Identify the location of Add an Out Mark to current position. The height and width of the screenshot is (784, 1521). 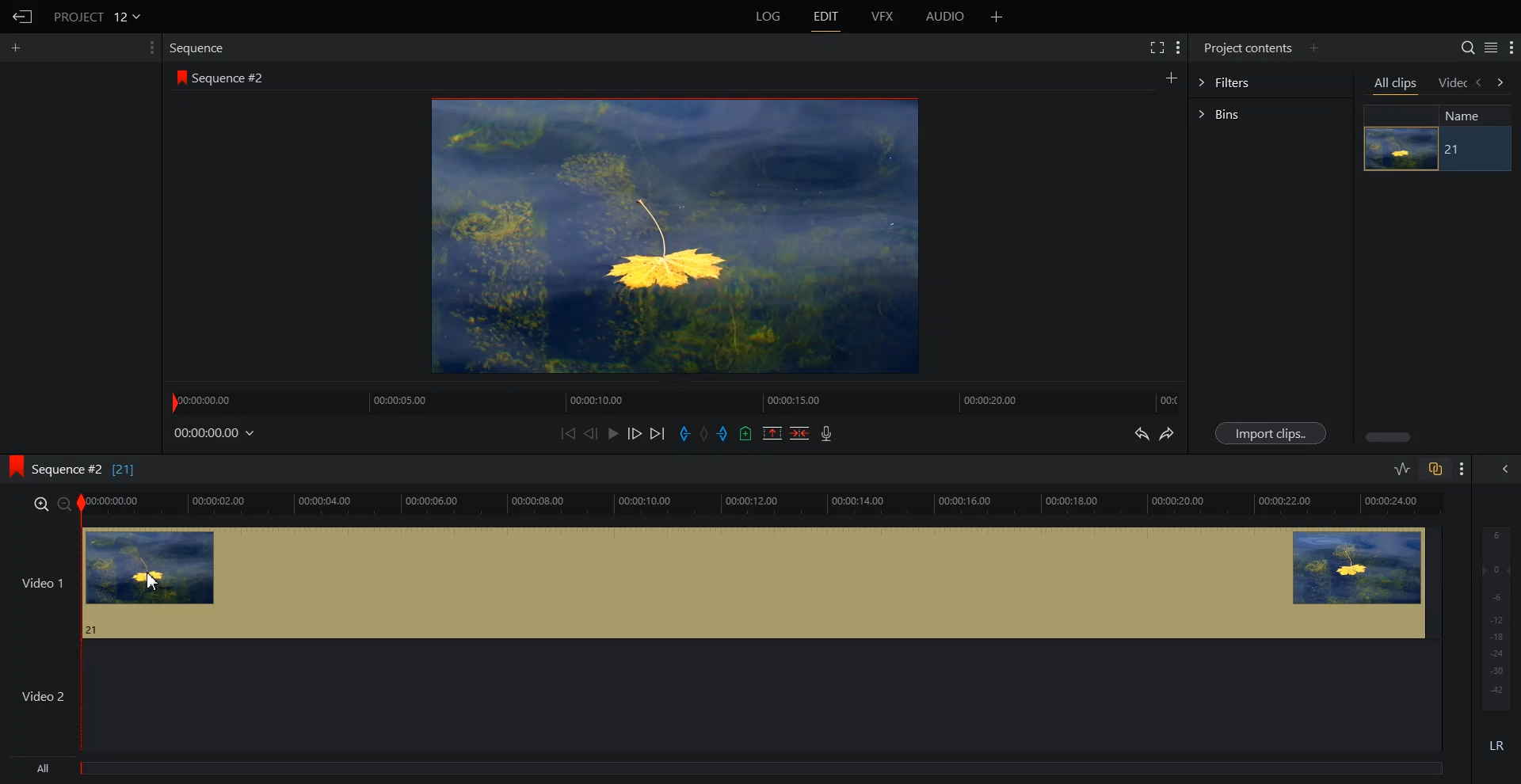
(724, 433).